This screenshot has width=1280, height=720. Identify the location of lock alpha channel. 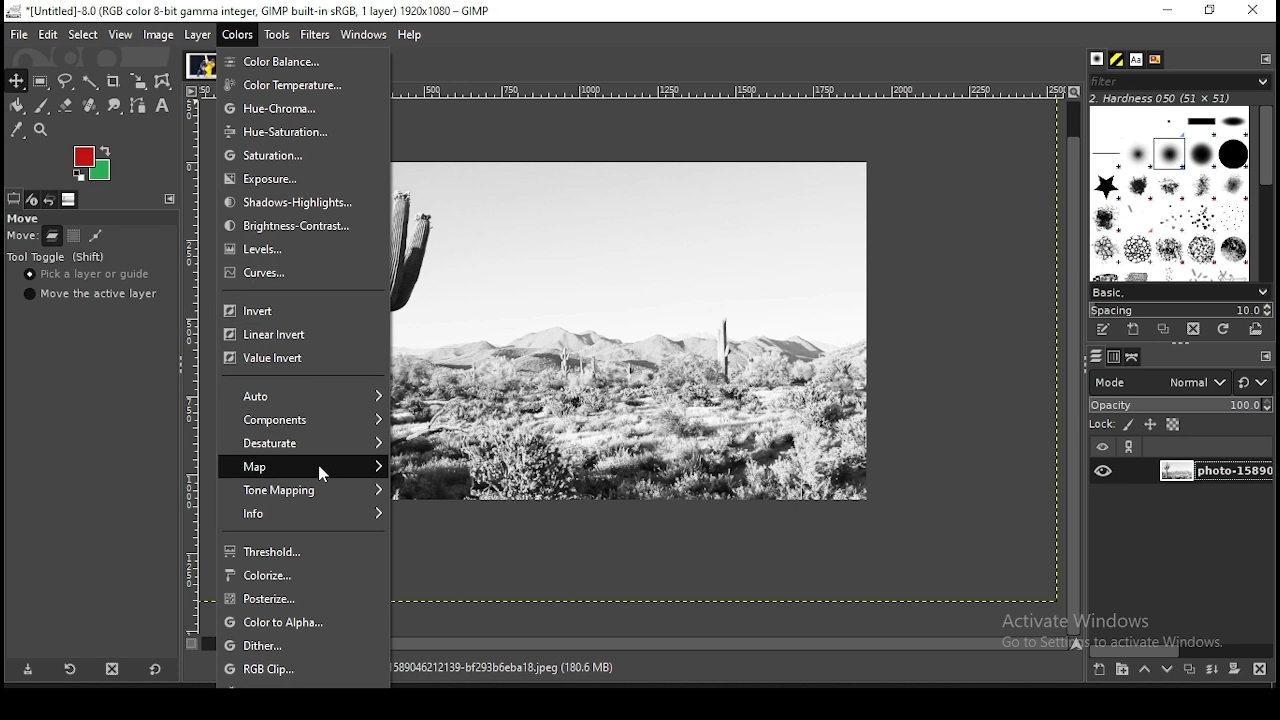
(1174, 424).